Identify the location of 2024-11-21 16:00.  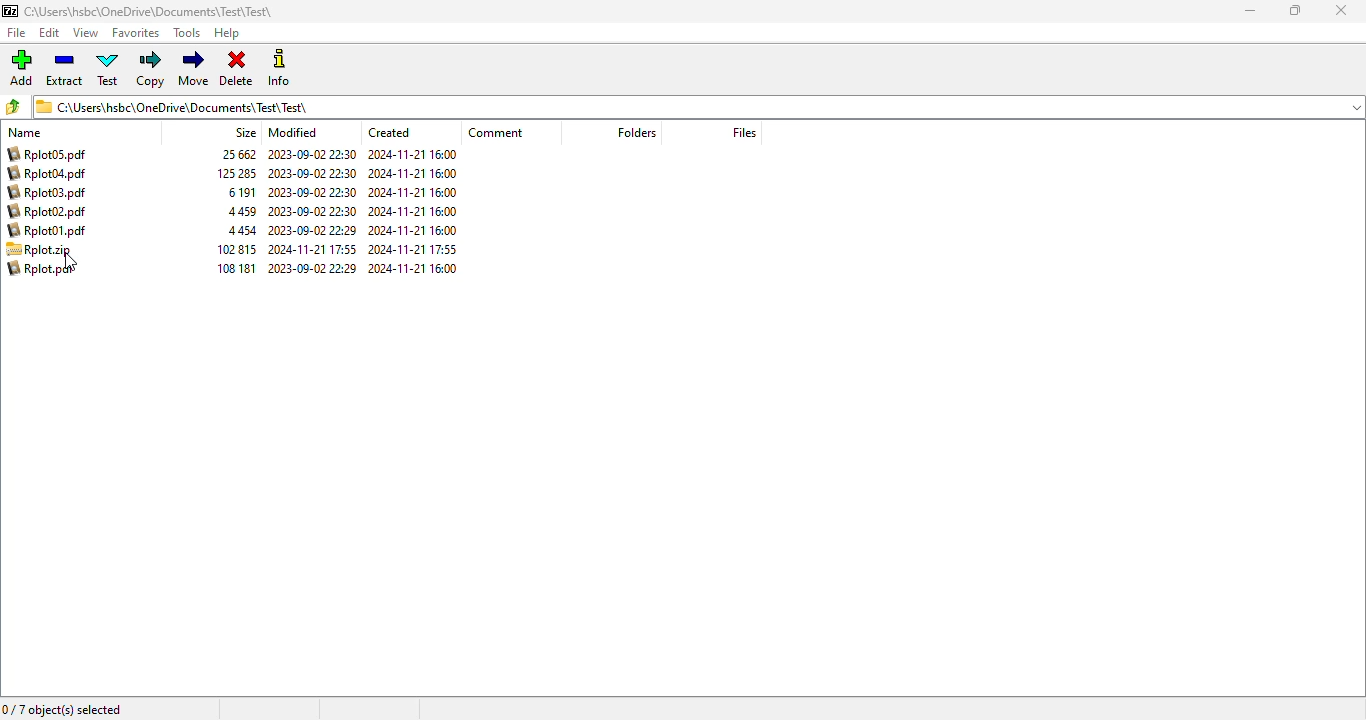
(414, 211).